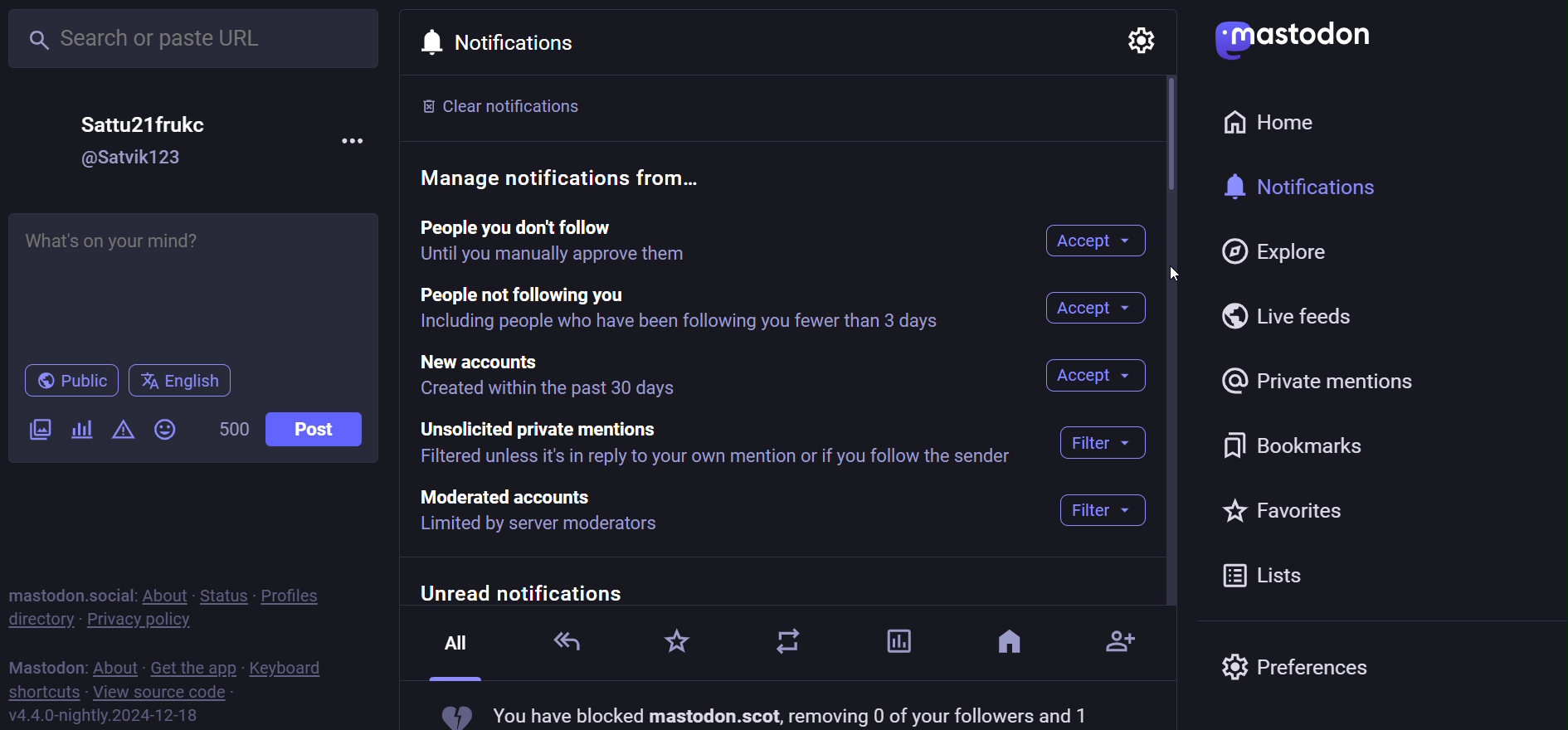 The width and height of the screenshot is (1568, 730). What do you see at coordinates (179, 380) in the screenshot?
I see `english` at bounding box center [179, 380].